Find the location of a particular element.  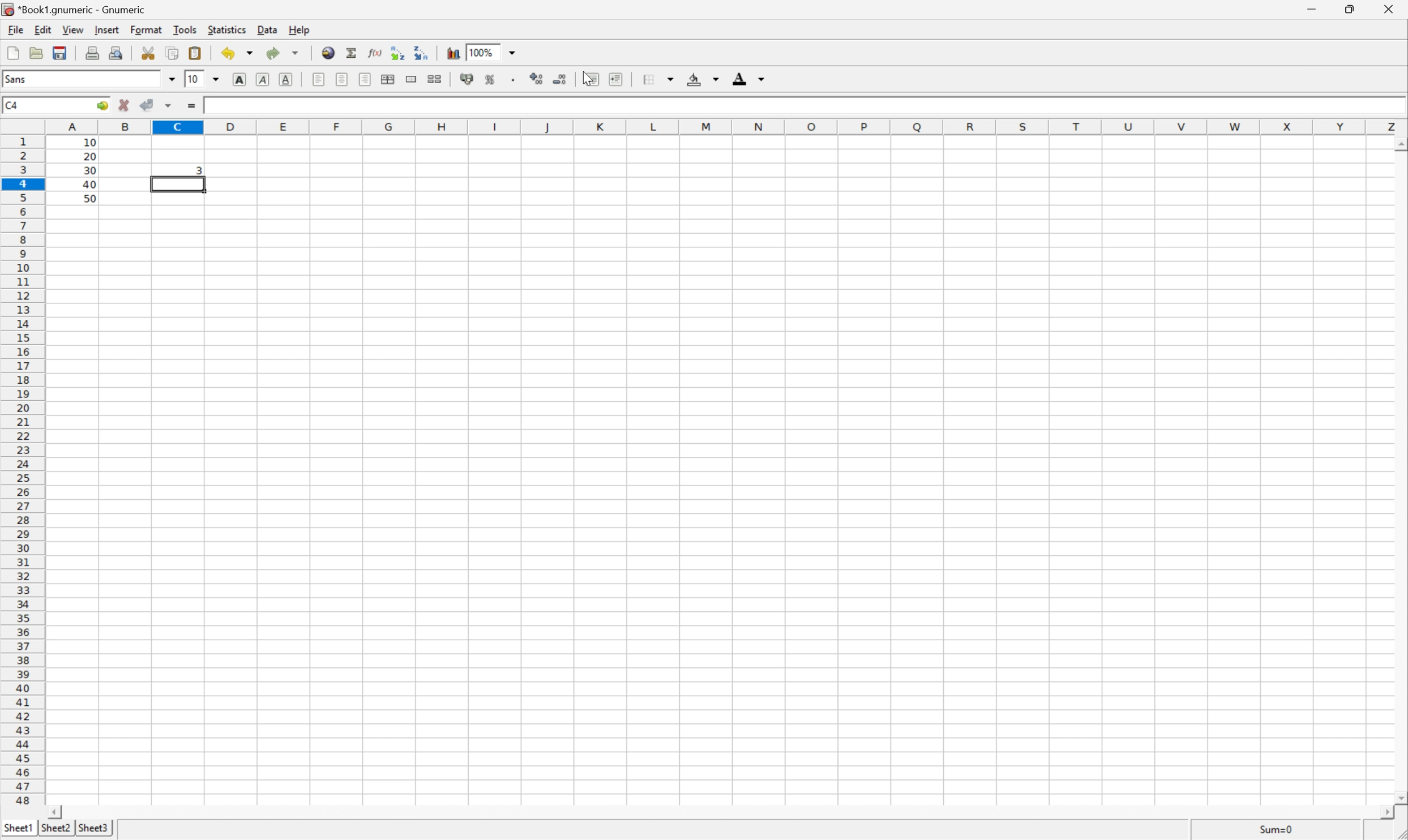

Tools is located at coordinates (185, 29).